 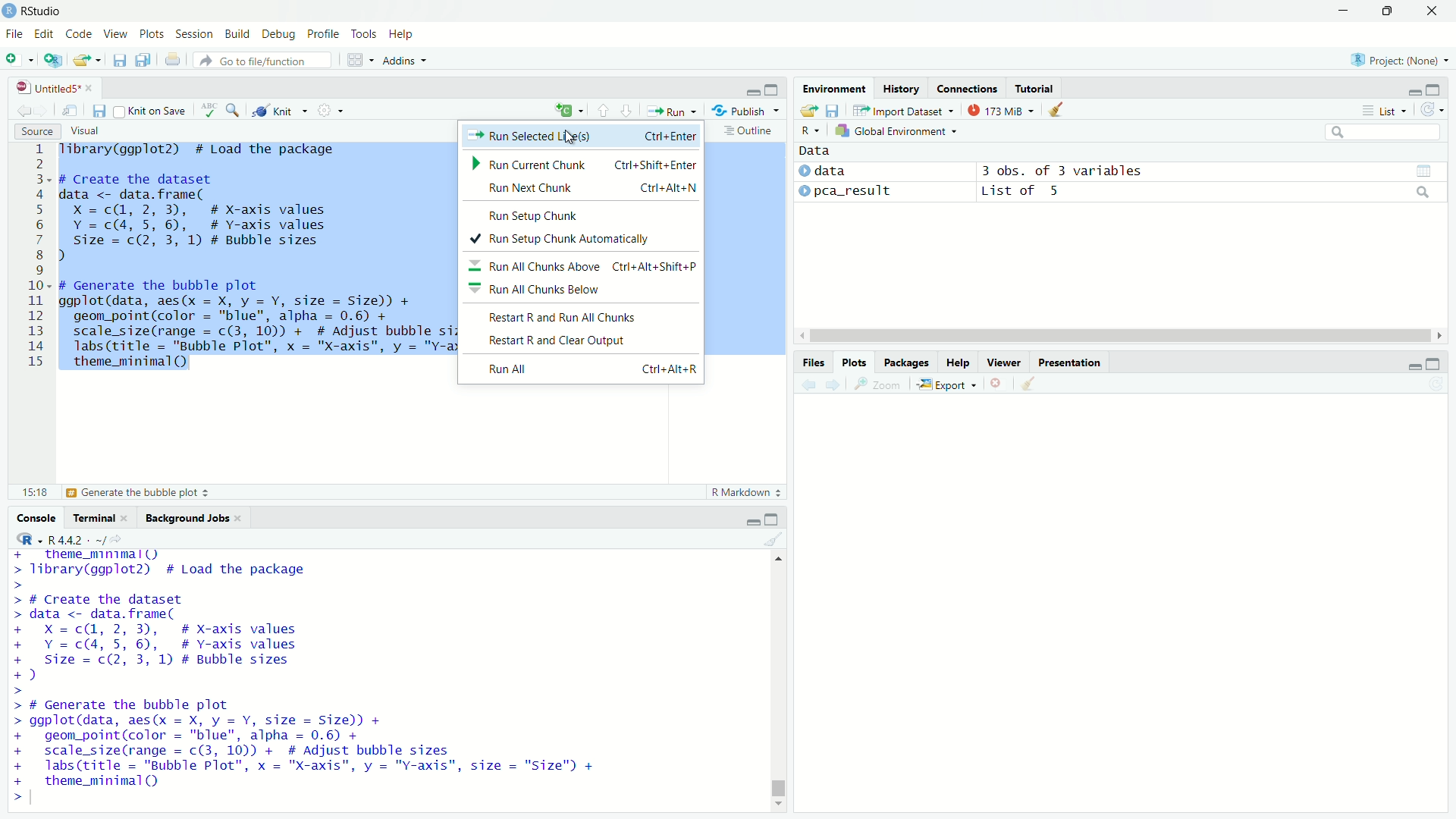 I want to click on remove current plot, so click(x=998, y=384).